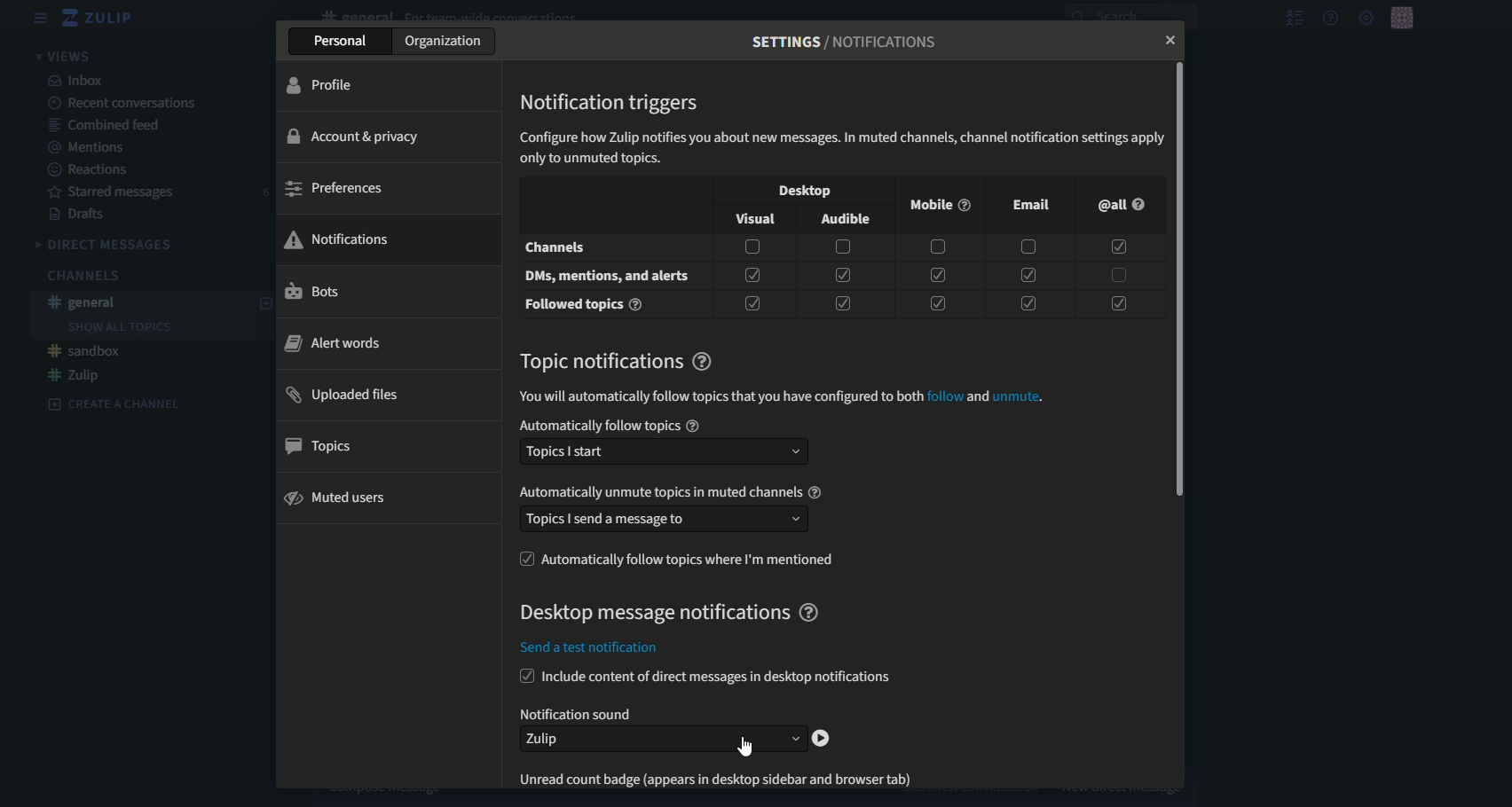  Describe the element at coordinates (334, 189) in the screenshot. I see `preference` at that location.